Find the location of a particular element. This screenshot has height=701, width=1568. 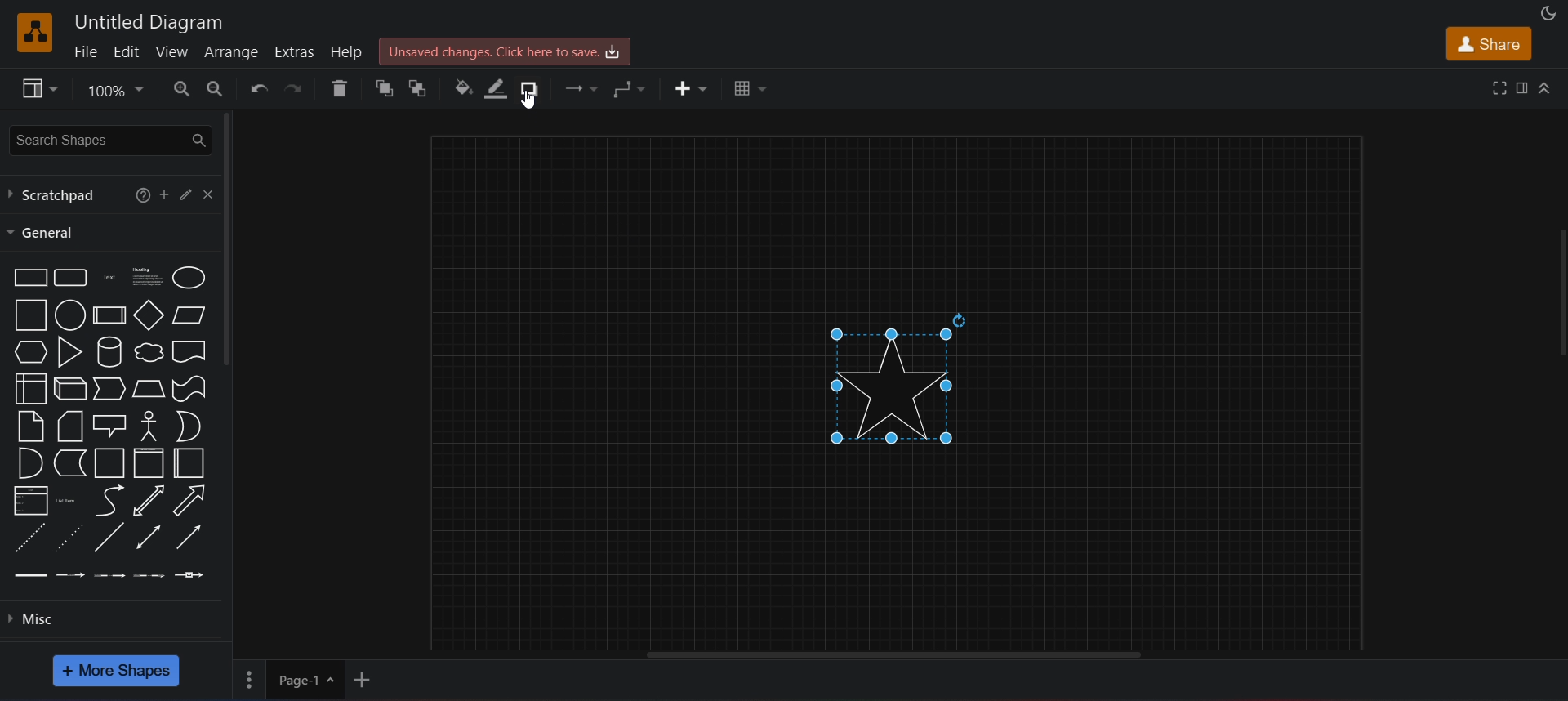

line is located at coordinates (112, 537).